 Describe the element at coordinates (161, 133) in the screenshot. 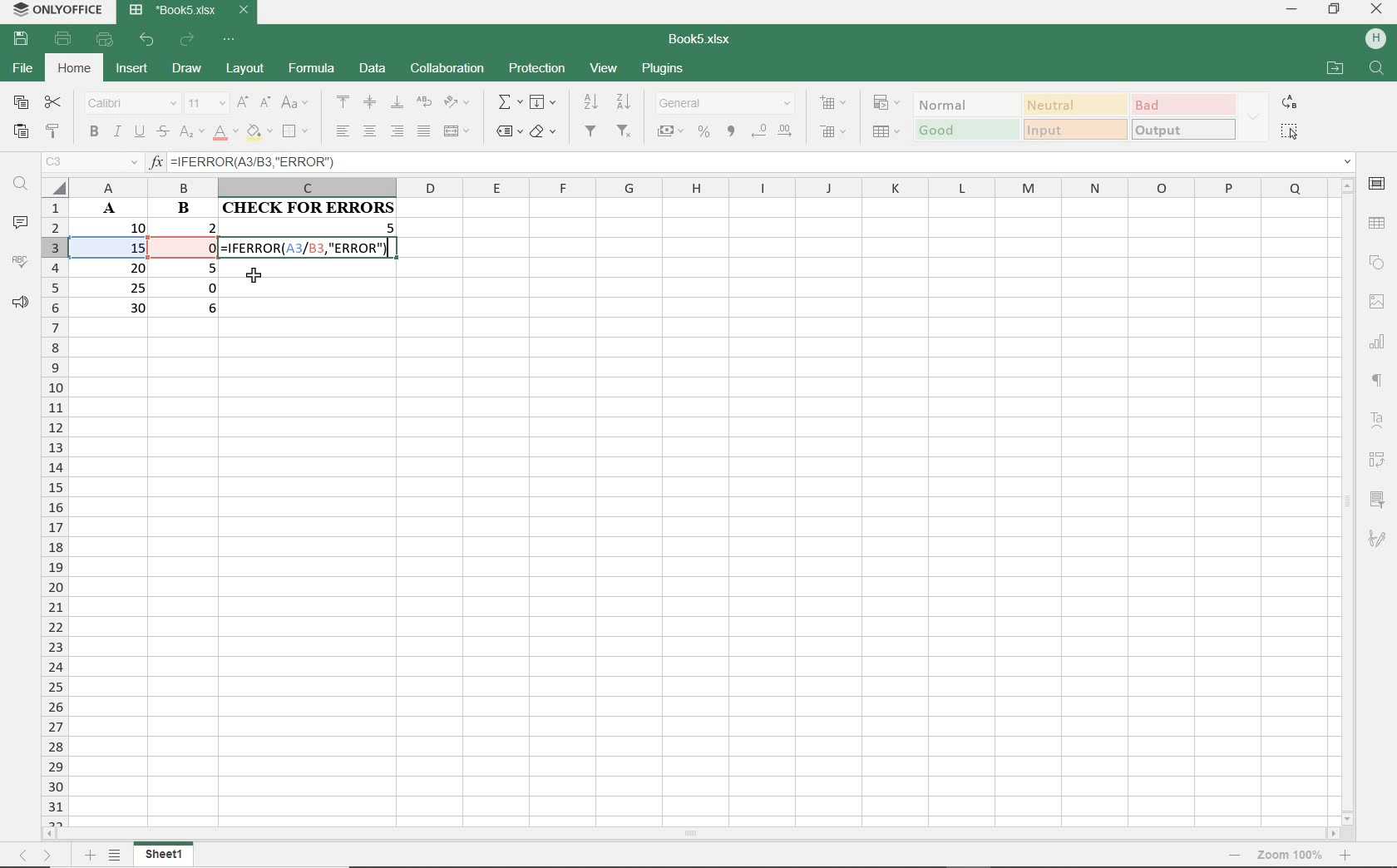

I see `STRIKETHROUGH` at that location.